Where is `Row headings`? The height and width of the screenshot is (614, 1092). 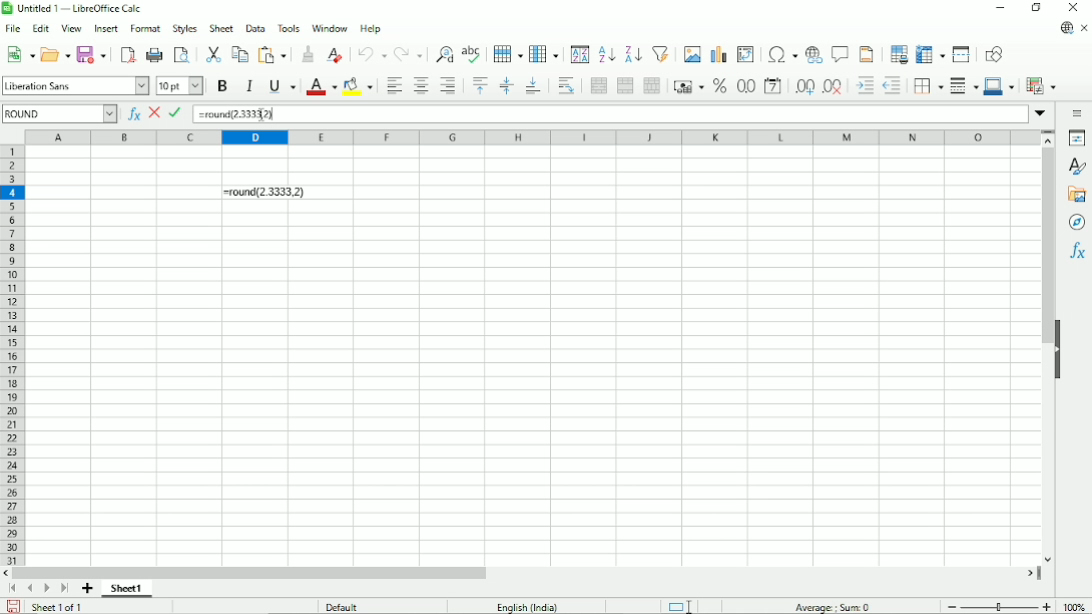 Row headings is located at coordinates (12, 354).